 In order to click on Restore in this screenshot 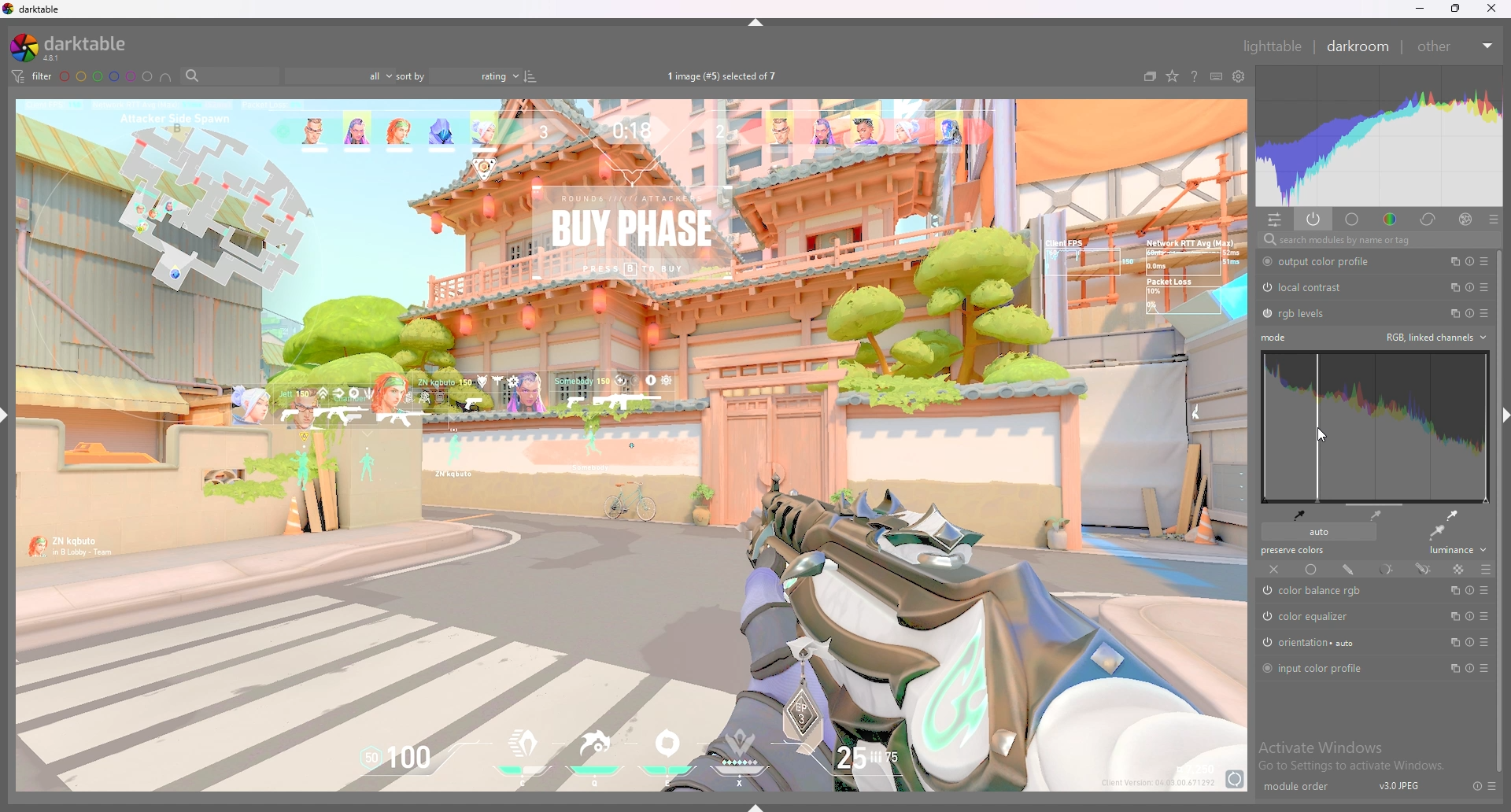, I will do `click(1454, 12)`.